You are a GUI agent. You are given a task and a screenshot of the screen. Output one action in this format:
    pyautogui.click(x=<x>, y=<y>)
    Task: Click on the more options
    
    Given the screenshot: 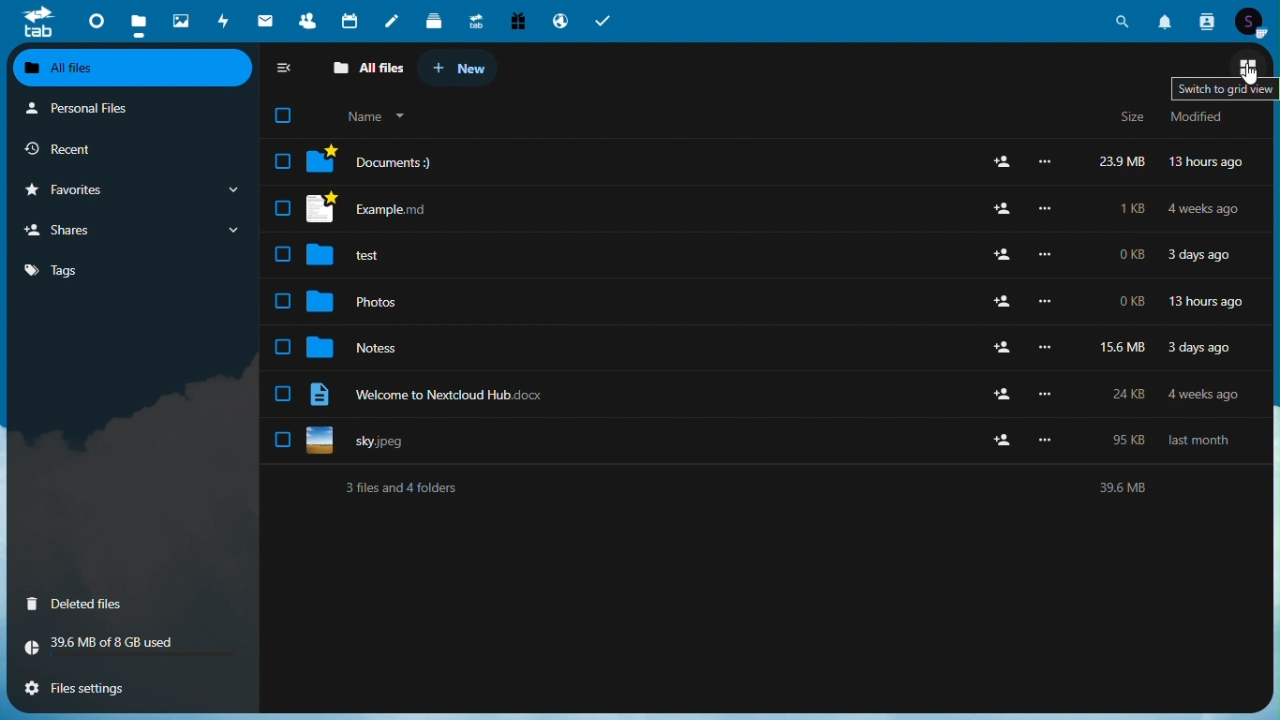 What is the action you would take?
    pyautogui.click(x=1046, y=163)
    